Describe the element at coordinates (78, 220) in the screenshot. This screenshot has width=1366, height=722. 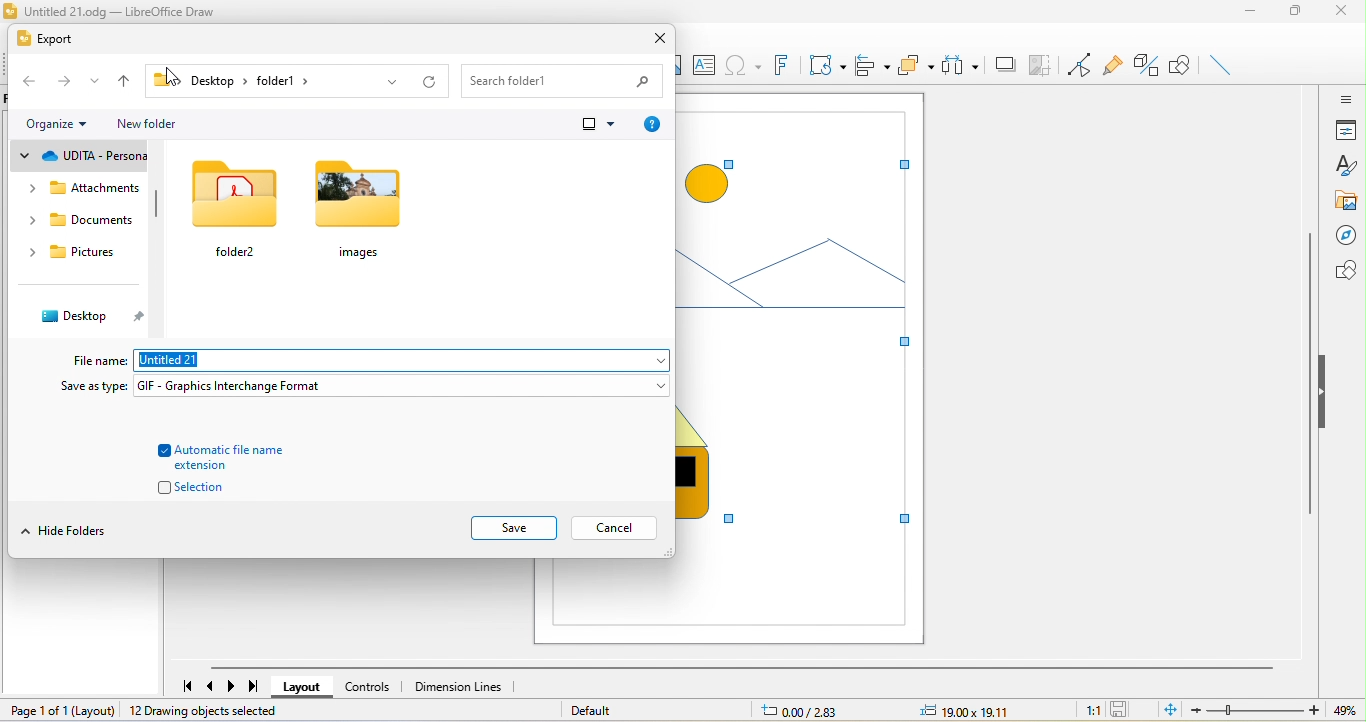
I see ` Documents` at that location.